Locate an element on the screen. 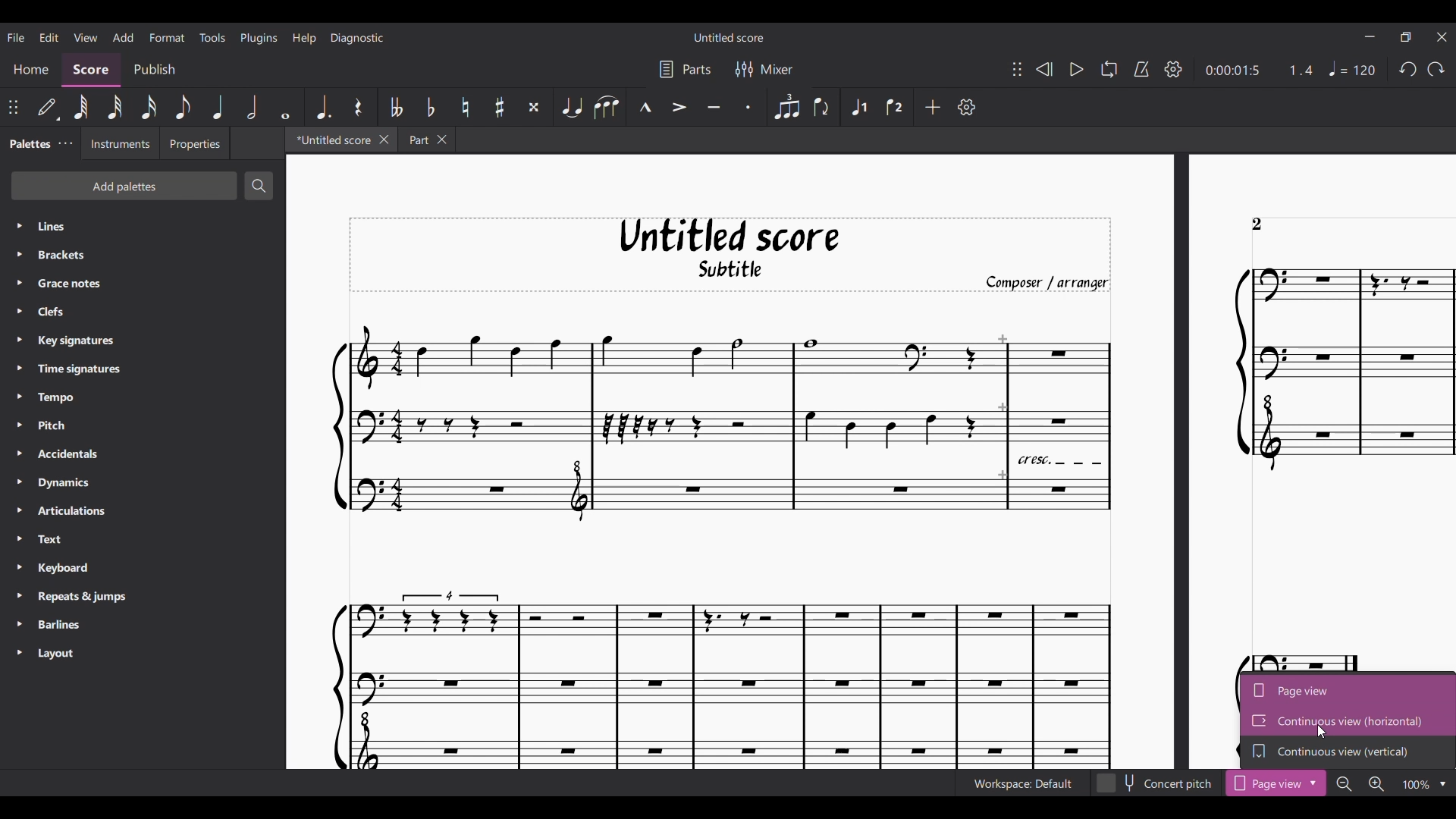 The height and width of the screenshot is (819, 1456). Looping playback is located at coordinates (1108, 69).